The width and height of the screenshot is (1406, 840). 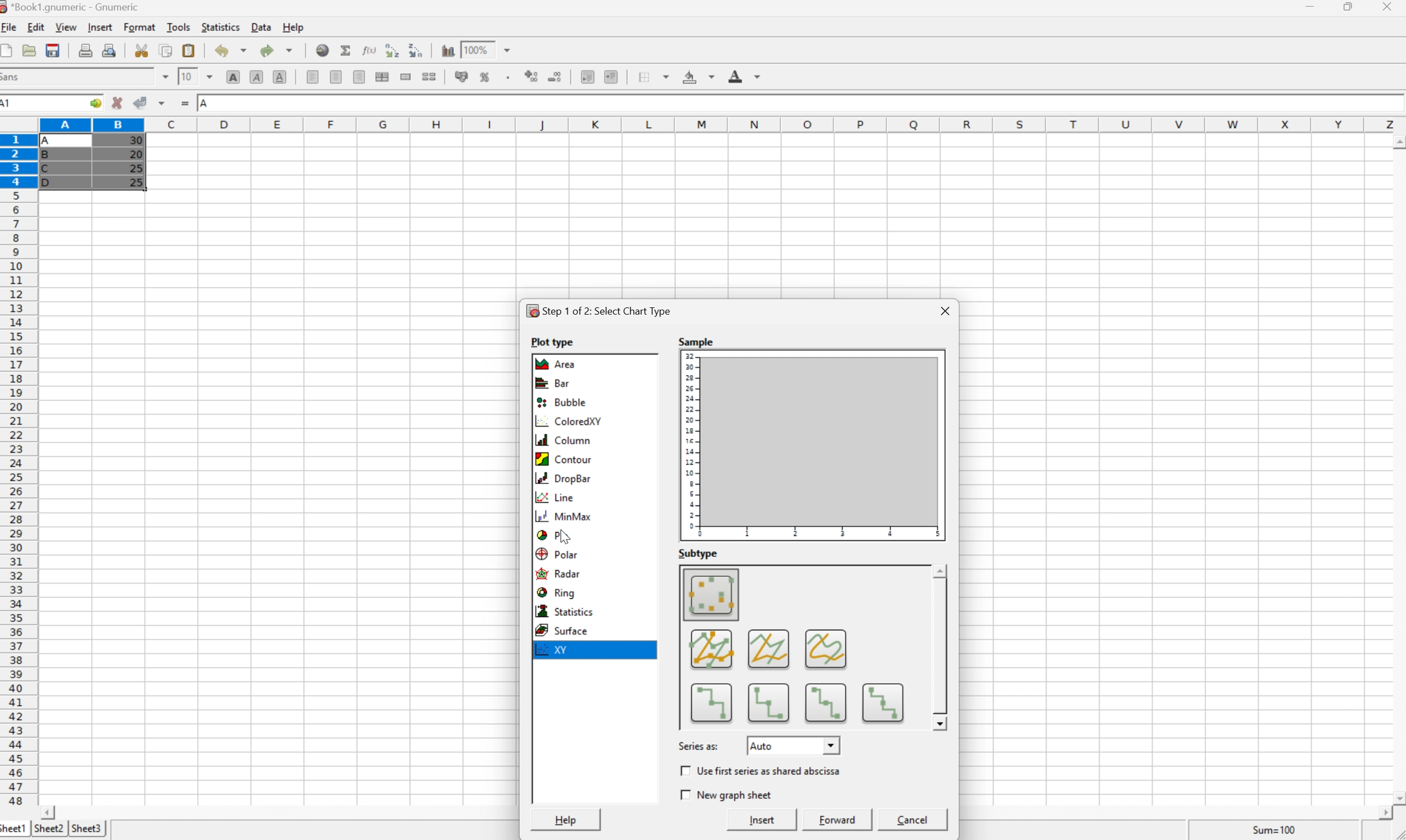 What do you see at coordinates (257, 76) in the screenshot?
I see `Italic` at bounding box center [257, 76].